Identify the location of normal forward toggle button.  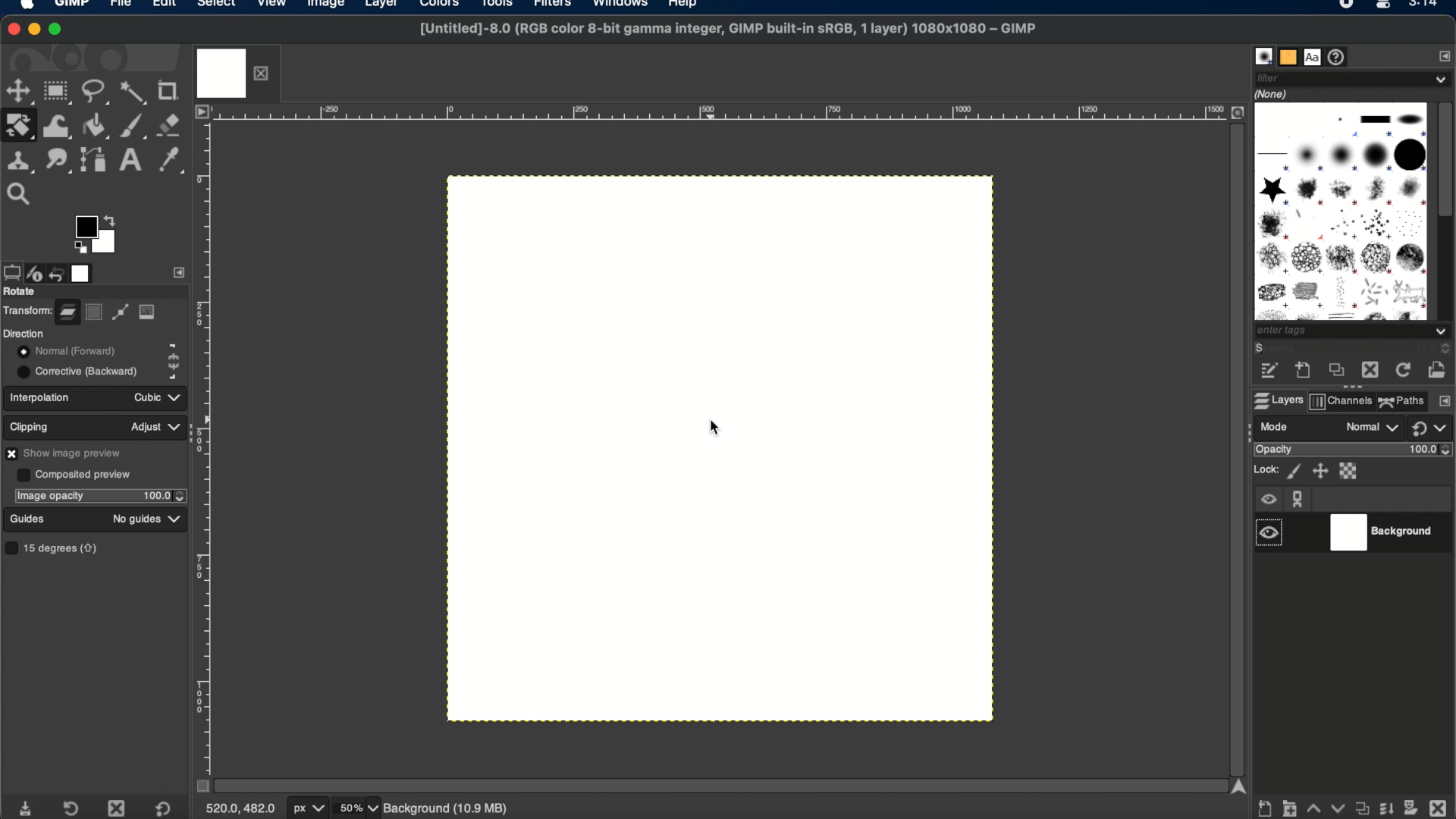
(64, 351).